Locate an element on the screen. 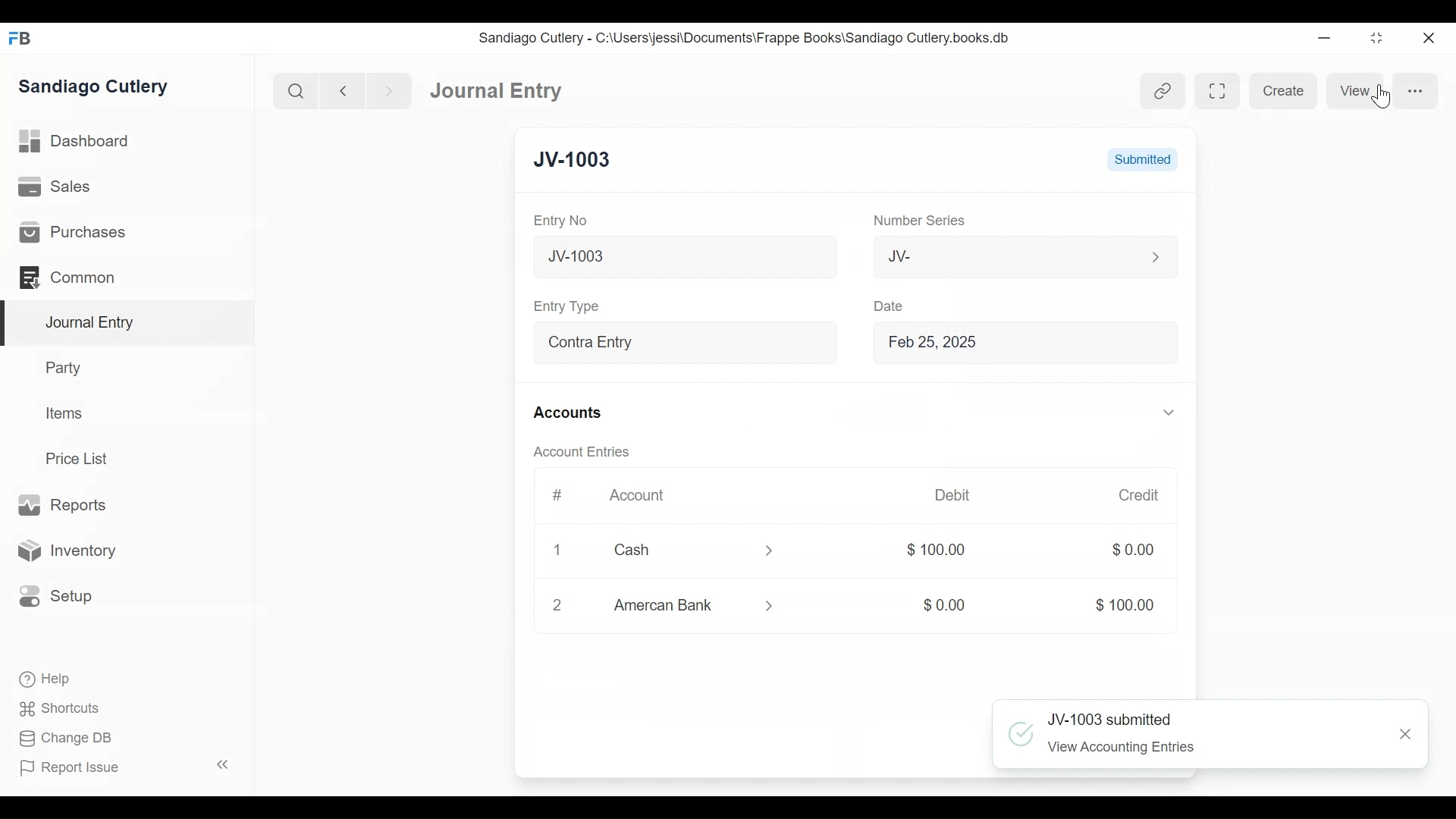 This screenshot has width=1456, height=819. Shortcuts is located at coordinates (55, 708).